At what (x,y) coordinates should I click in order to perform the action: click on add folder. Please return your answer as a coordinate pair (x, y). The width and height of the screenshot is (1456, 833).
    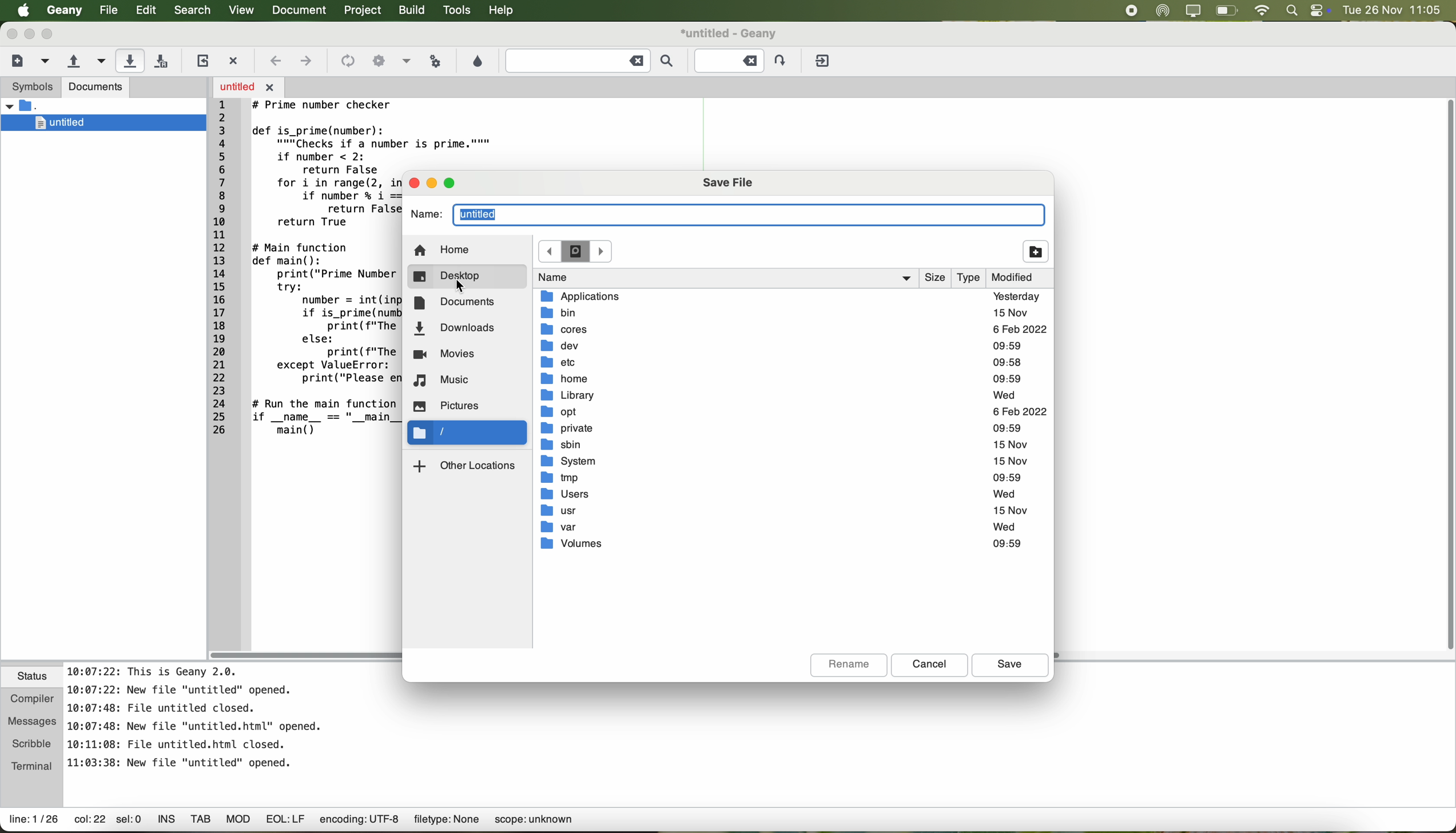
    Looking at the image, I should click on (1036, 251).